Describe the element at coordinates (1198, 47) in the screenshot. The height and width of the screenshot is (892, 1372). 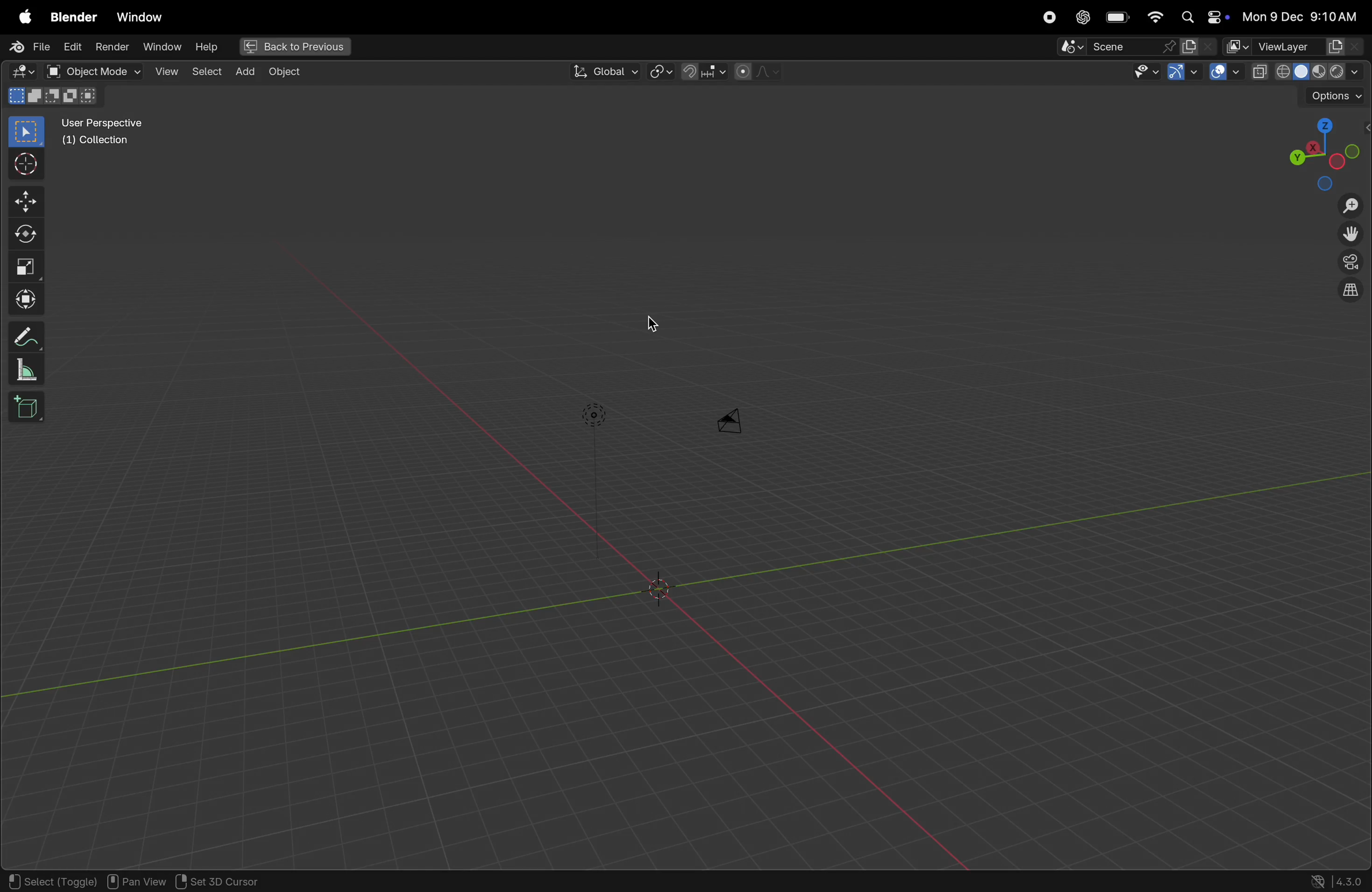
I see `new scene` at that location.